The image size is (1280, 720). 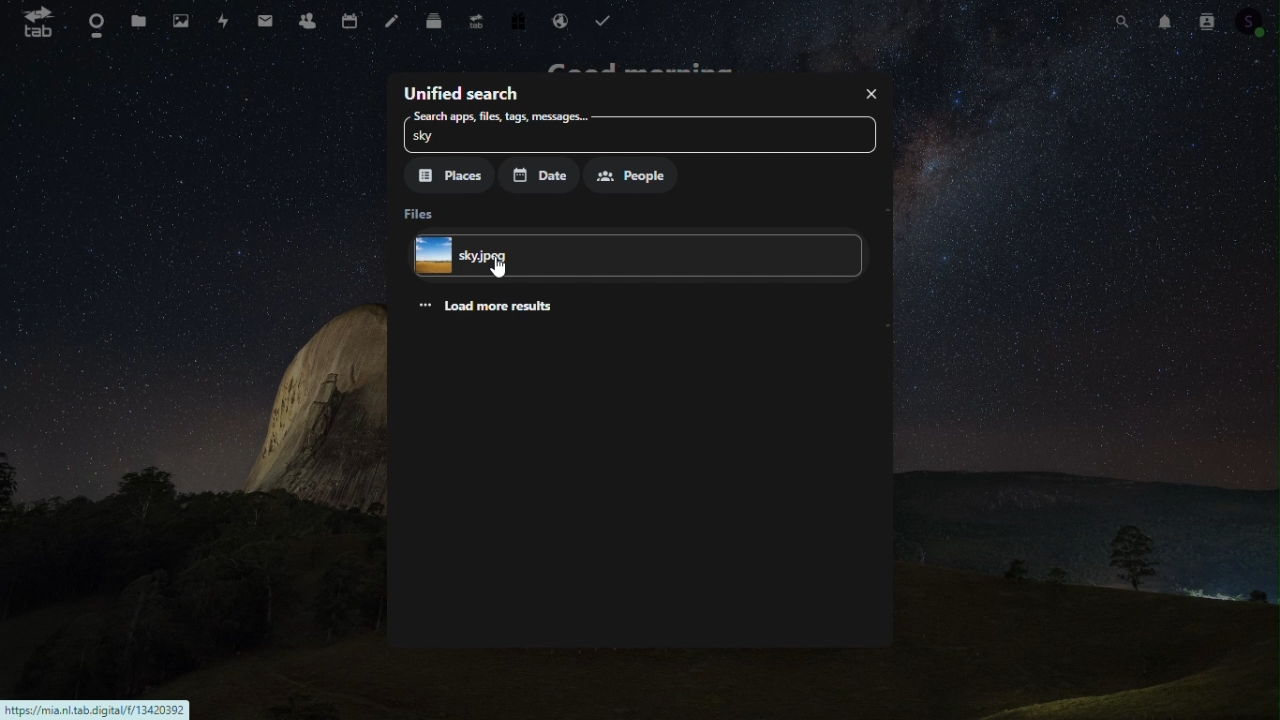 I want to click on Close, so click(x=870, y=91).